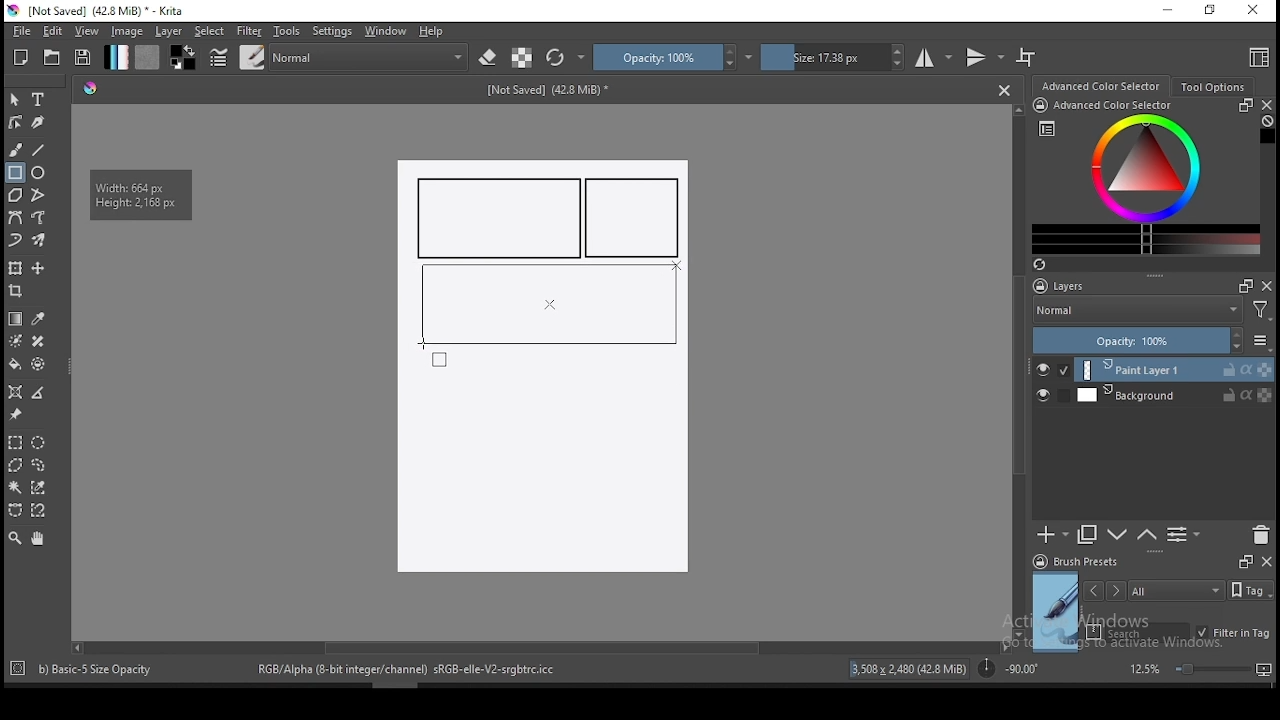  What do you see at coordinates (1118, 537) in the screenshot?
I see `move layer one step up` at bounding box center [1118, 537].